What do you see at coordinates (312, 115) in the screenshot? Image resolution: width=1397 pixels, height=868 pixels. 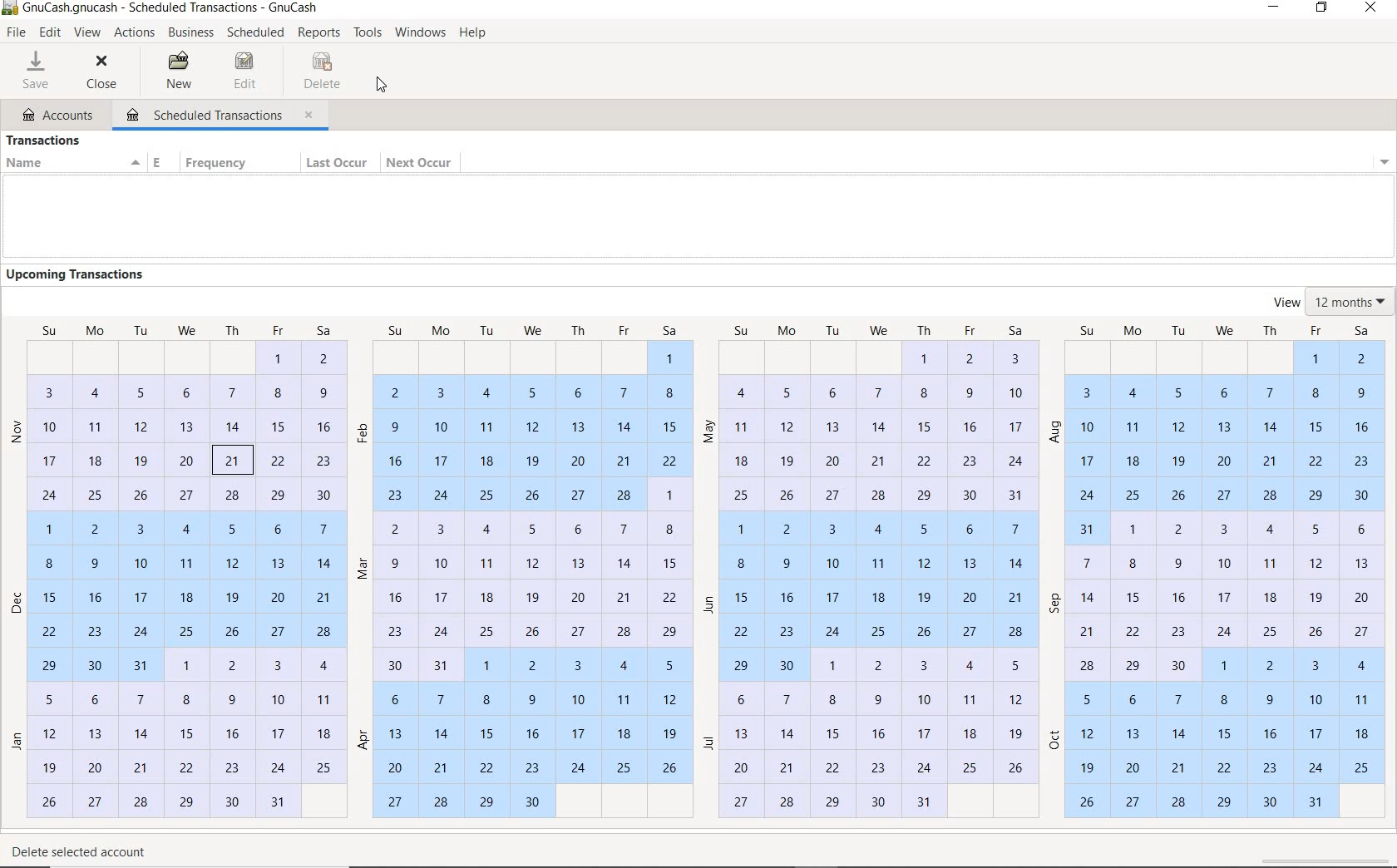 I see `close` at bounding box center [312, 115].